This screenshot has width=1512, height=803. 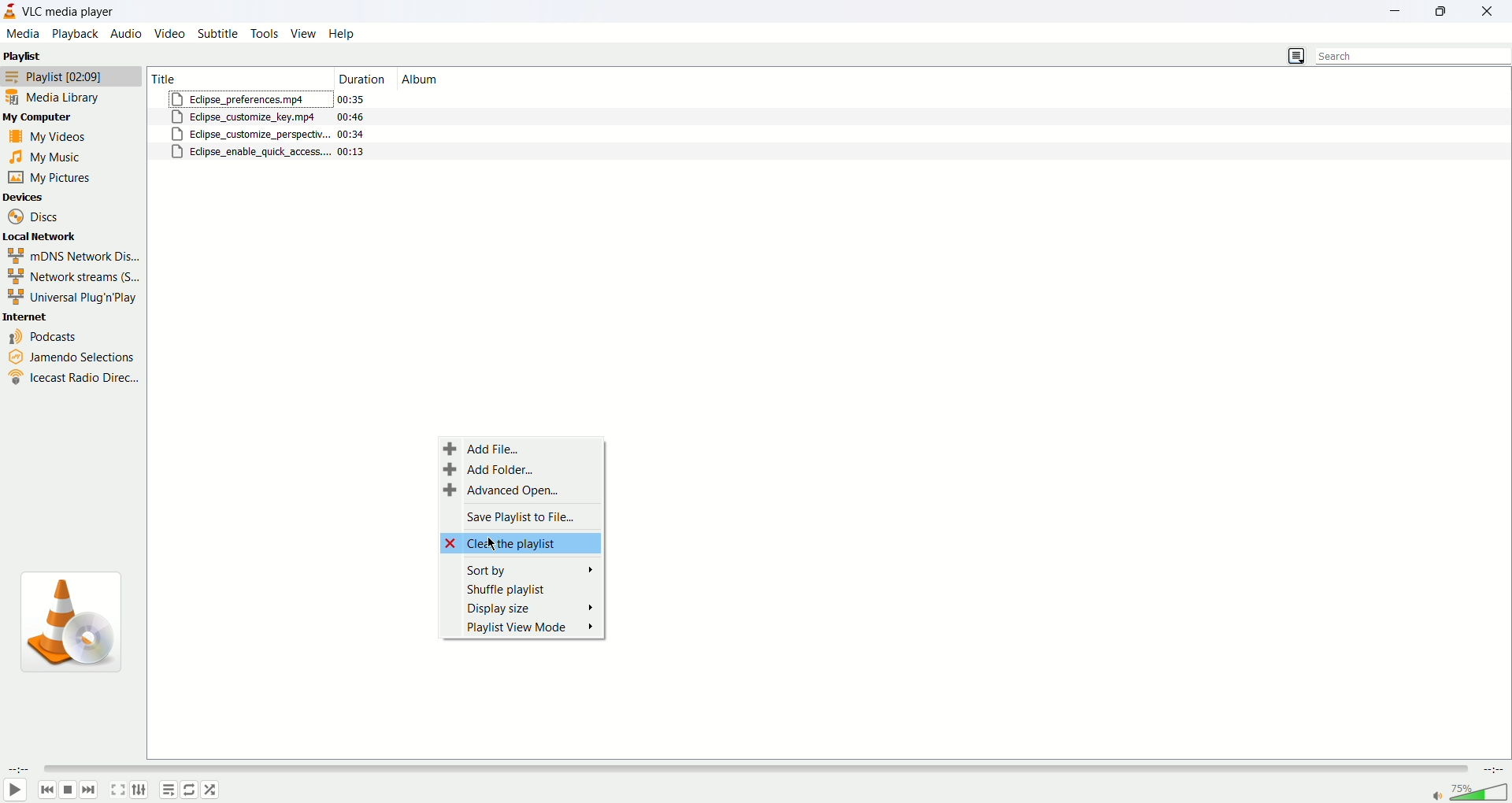 I want to click on elapsed time, so click(x=18, y=770).